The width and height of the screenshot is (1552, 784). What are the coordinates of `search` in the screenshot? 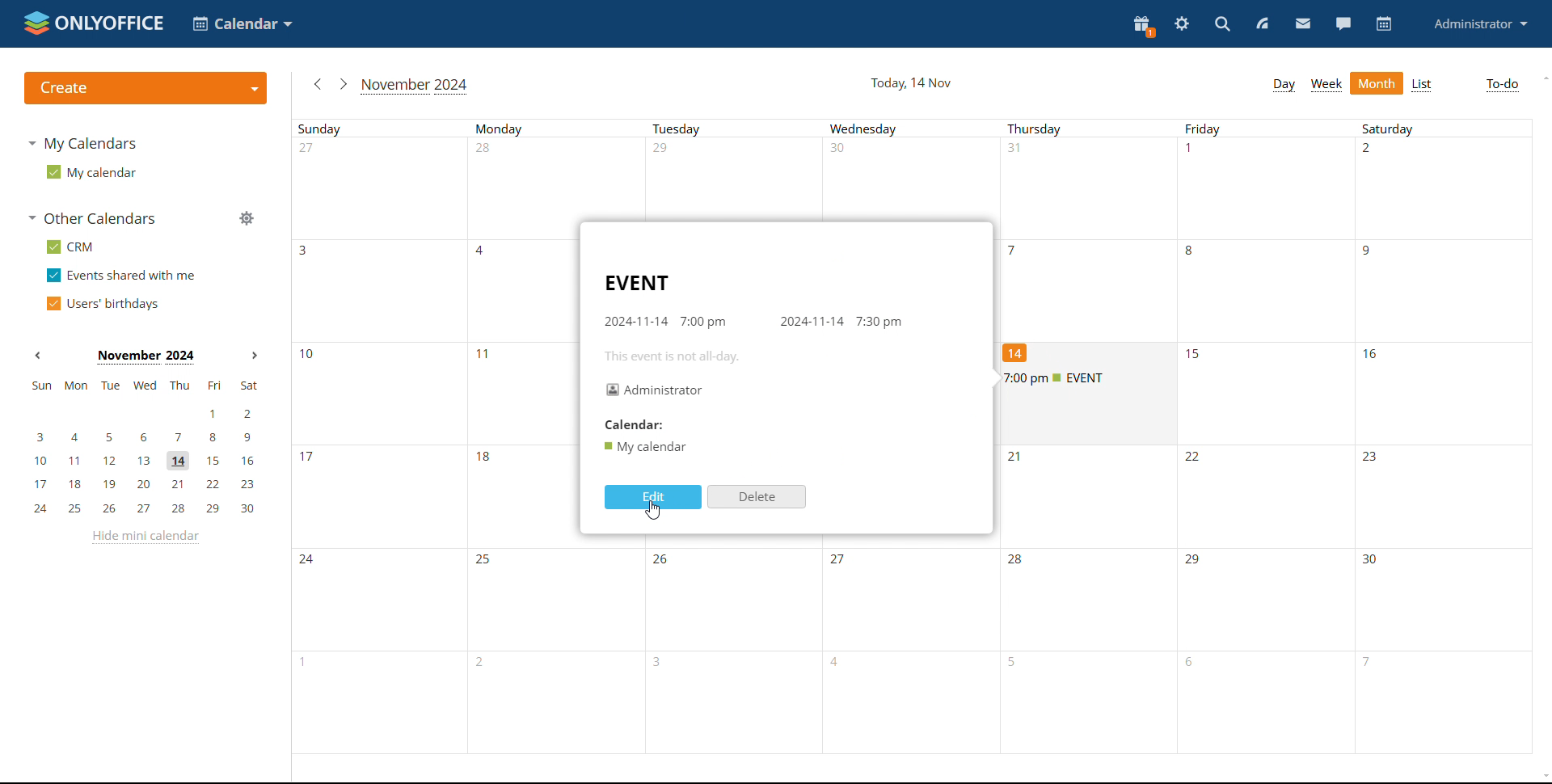 It's located at (1221, 23).